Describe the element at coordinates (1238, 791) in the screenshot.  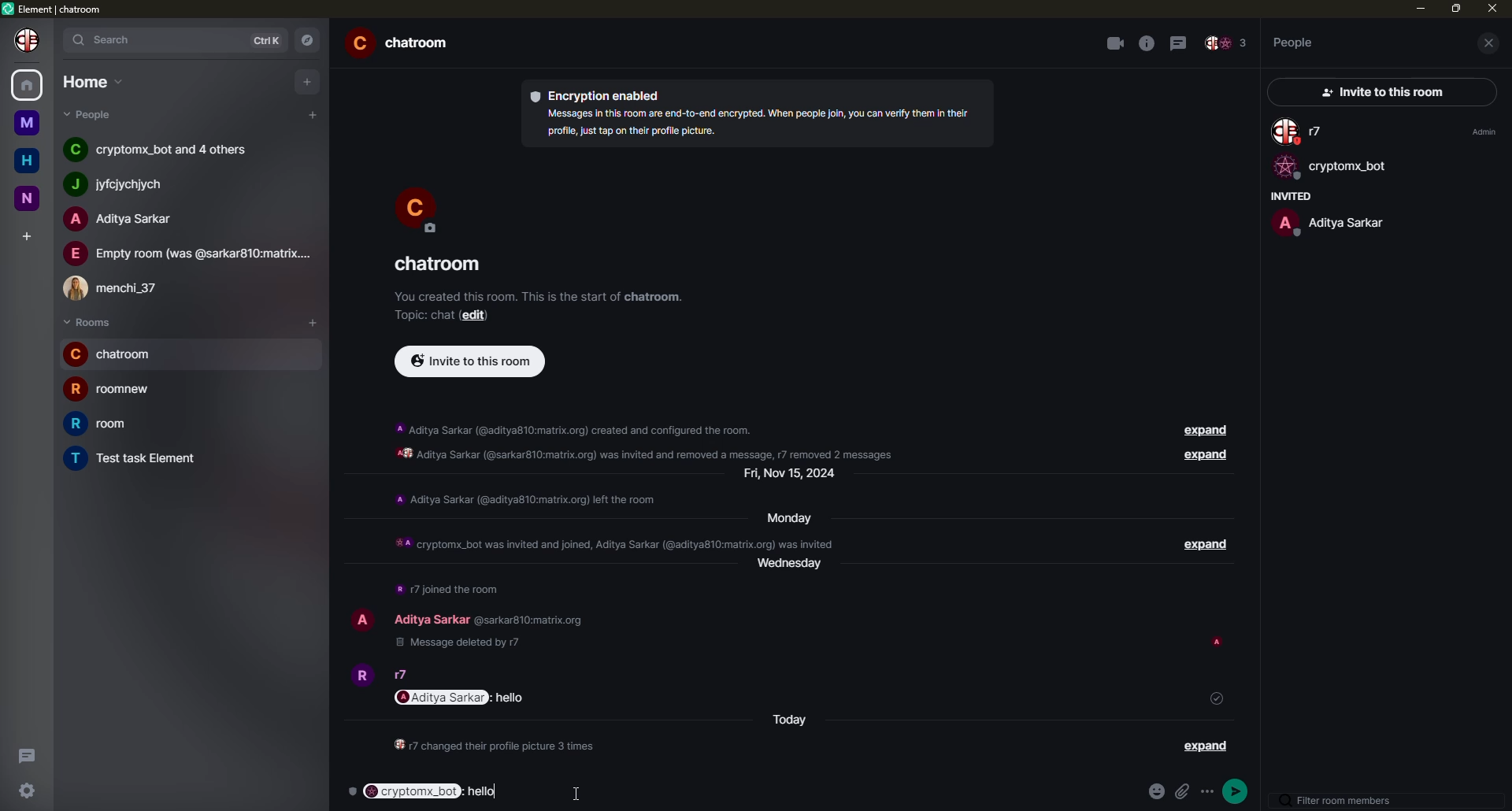
I see `send` at that location.